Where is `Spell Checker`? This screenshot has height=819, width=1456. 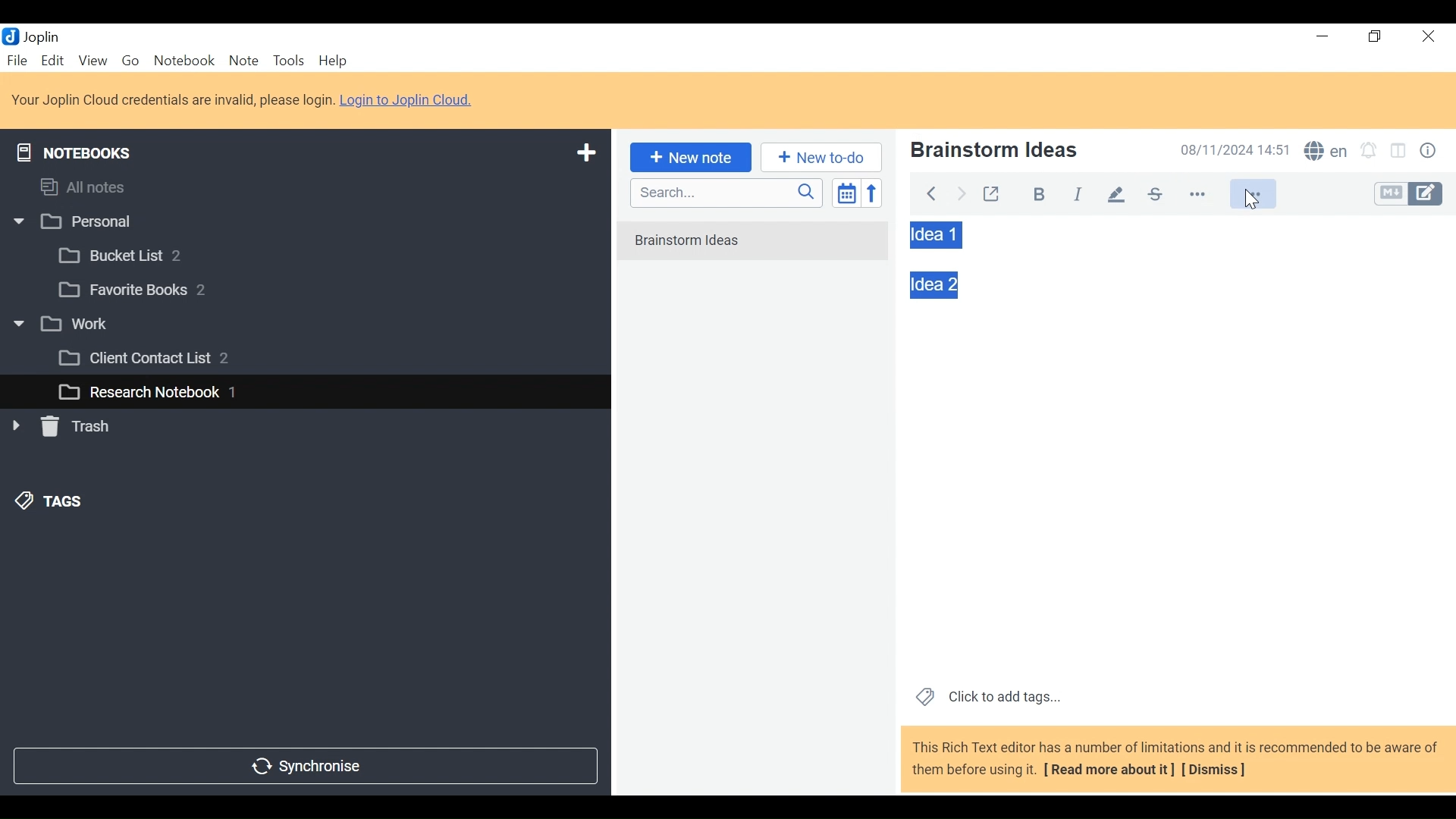
Spell Checker is located at coordinates (1326, 152).